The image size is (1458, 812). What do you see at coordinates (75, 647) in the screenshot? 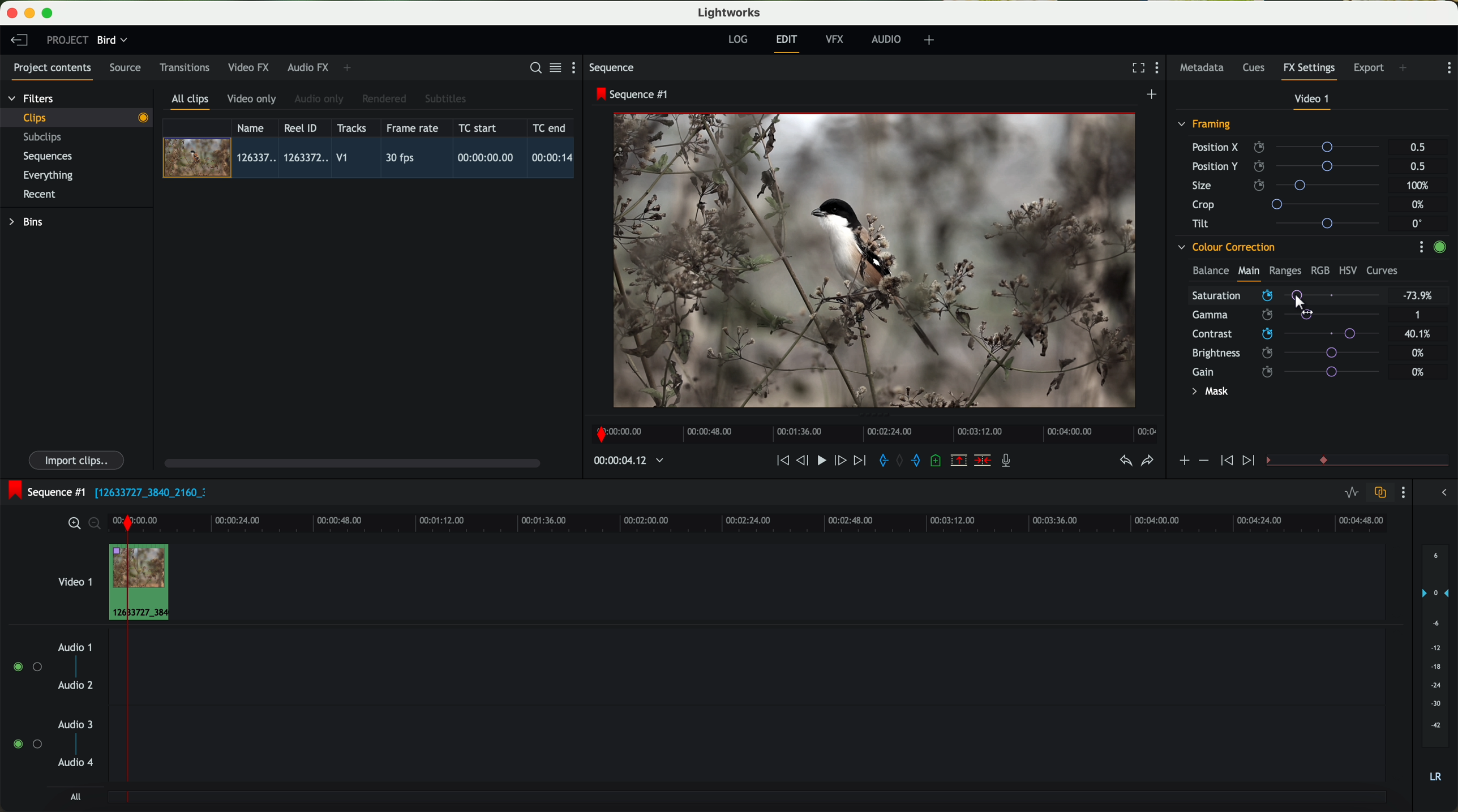
I see `audio 1` at bounding box center [75, 647].